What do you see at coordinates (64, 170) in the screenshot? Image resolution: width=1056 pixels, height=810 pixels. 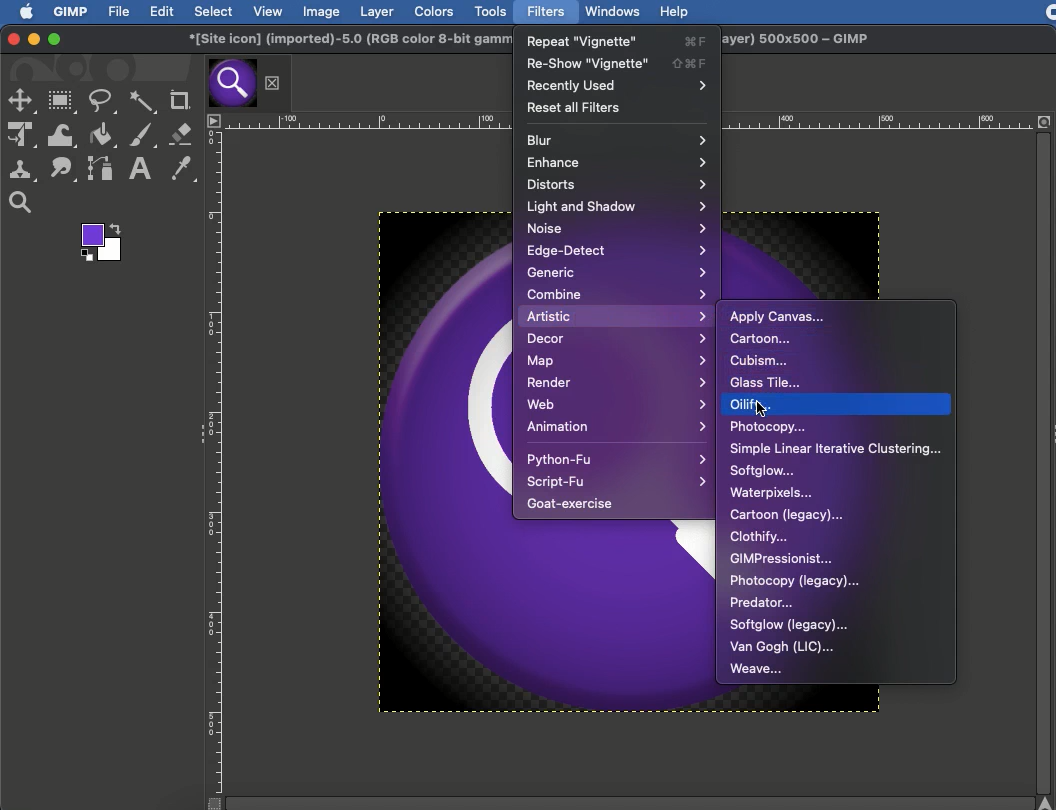 I see `Smudge tool` at bounding box center [64, 170].